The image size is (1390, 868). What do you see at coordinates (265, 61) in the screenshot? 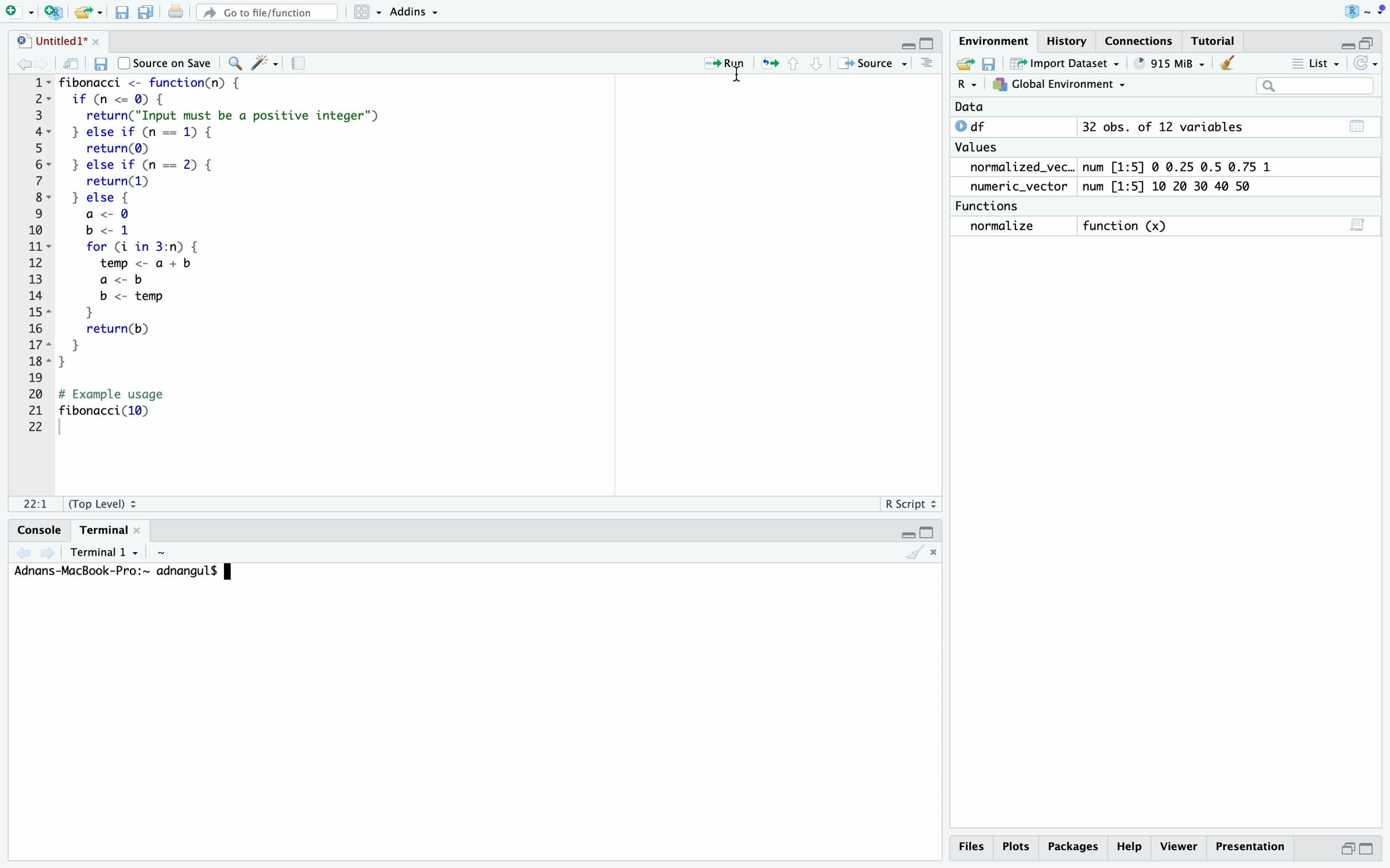
I see `code tools` at bounding box center [265, 61].